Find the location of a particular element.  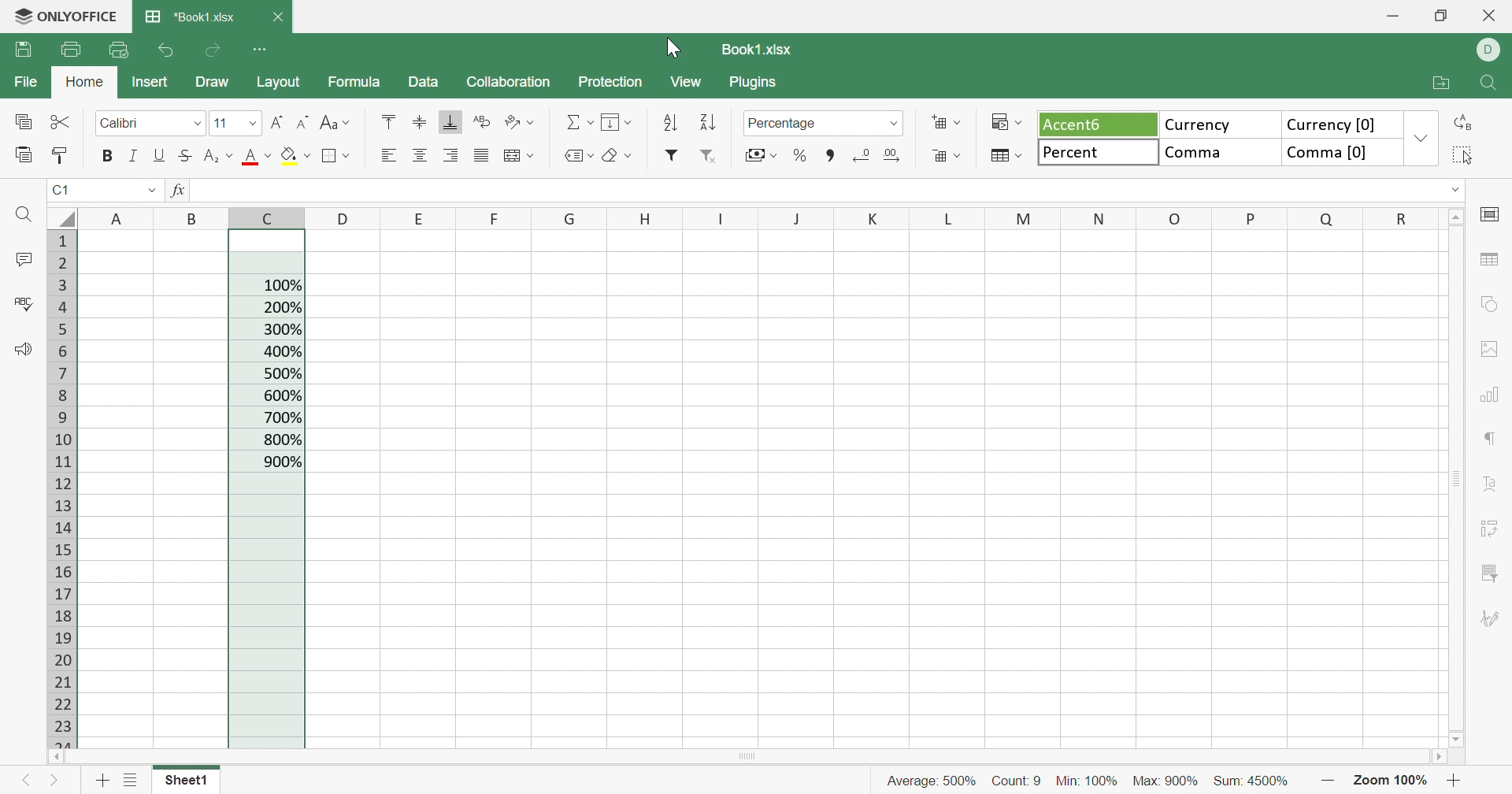

Scroll Left is located at coordinates (55, 758).